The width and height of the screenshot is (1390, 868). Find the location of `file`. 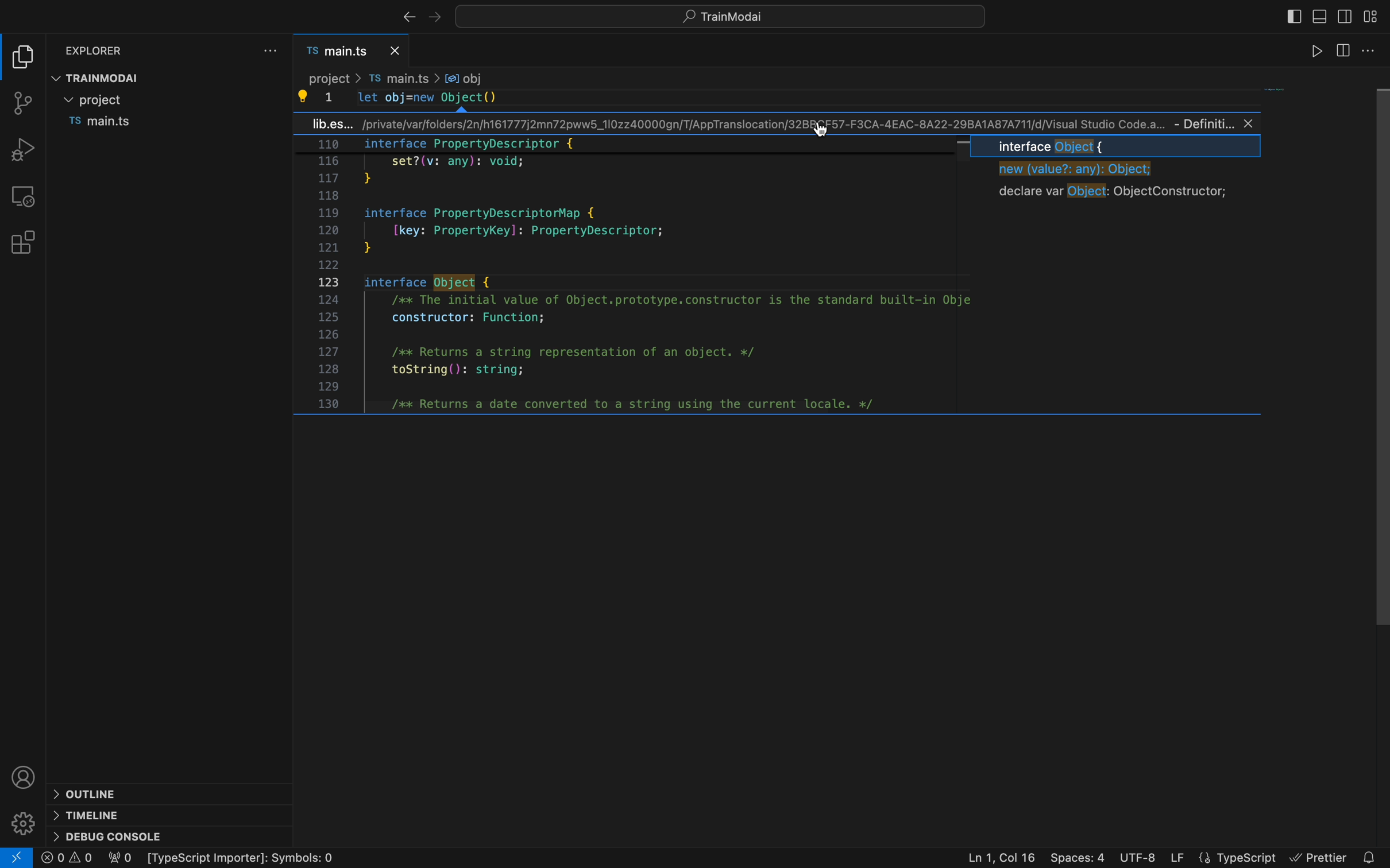

file is located at coordinates (99, 122).